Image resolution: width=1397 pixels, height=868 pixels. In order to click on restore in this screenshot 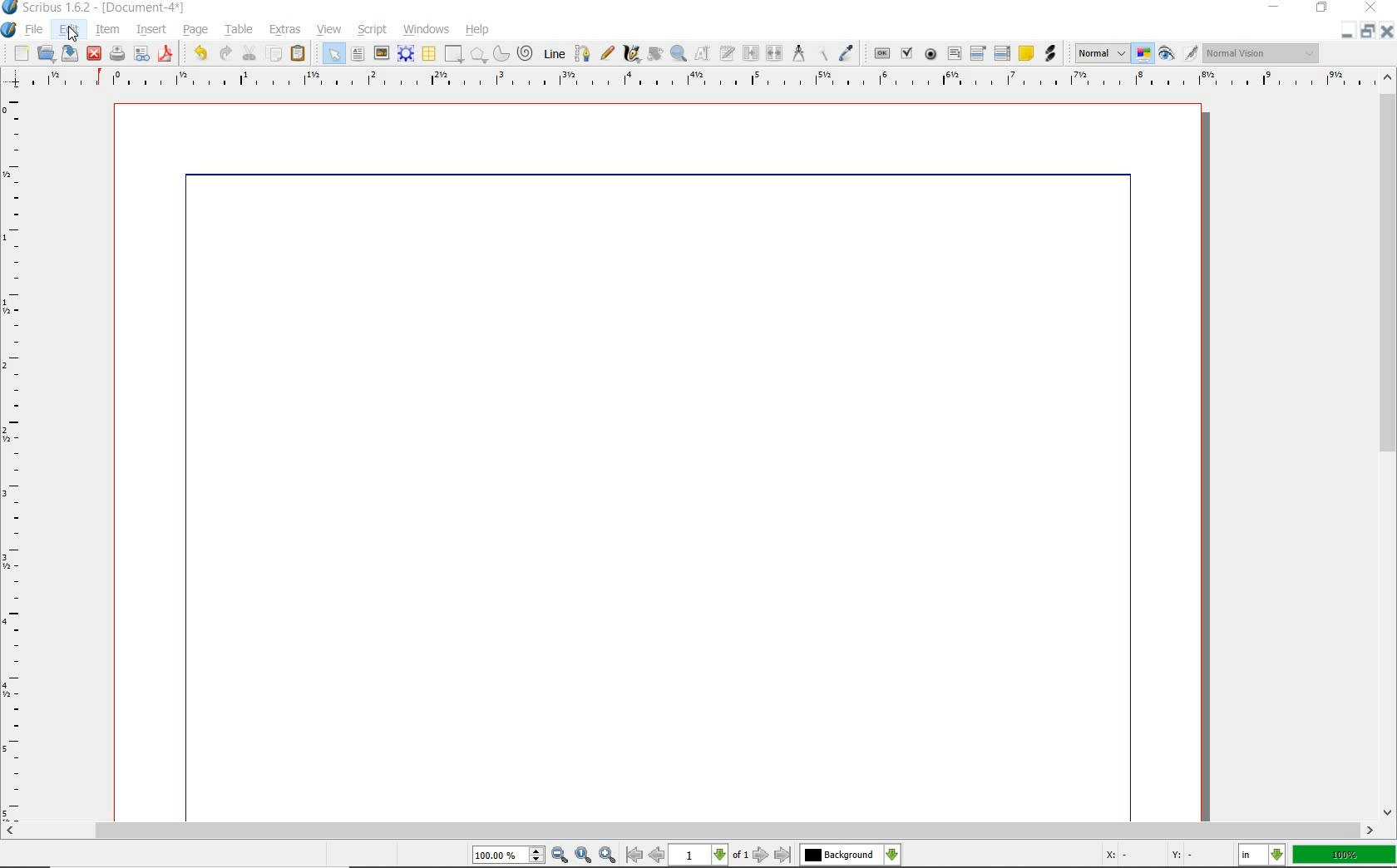, I will do `click(1323, 9)`.